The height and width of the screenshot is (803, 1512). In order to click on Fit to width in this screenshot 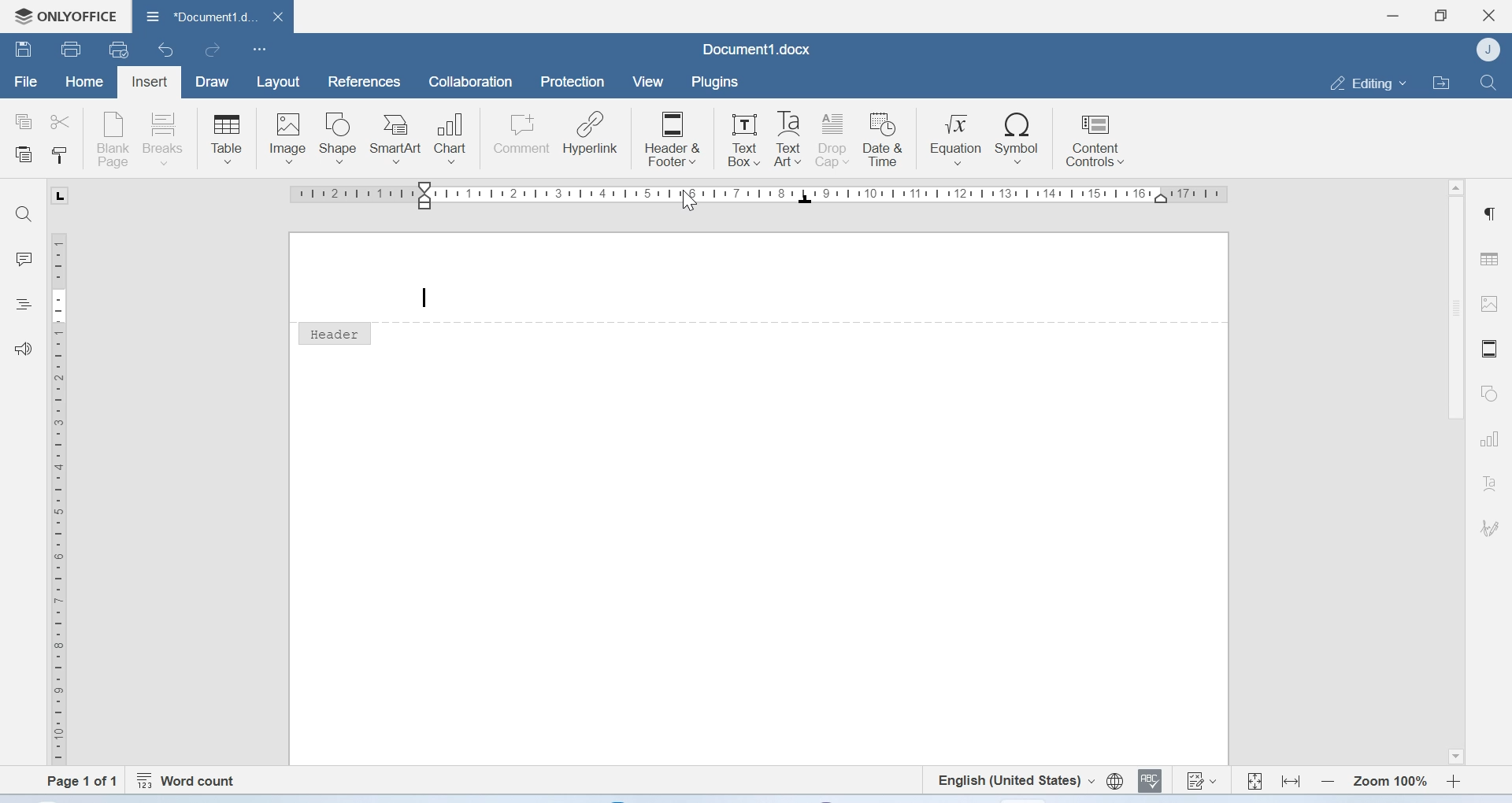, I will do `click(1290, 779)`.